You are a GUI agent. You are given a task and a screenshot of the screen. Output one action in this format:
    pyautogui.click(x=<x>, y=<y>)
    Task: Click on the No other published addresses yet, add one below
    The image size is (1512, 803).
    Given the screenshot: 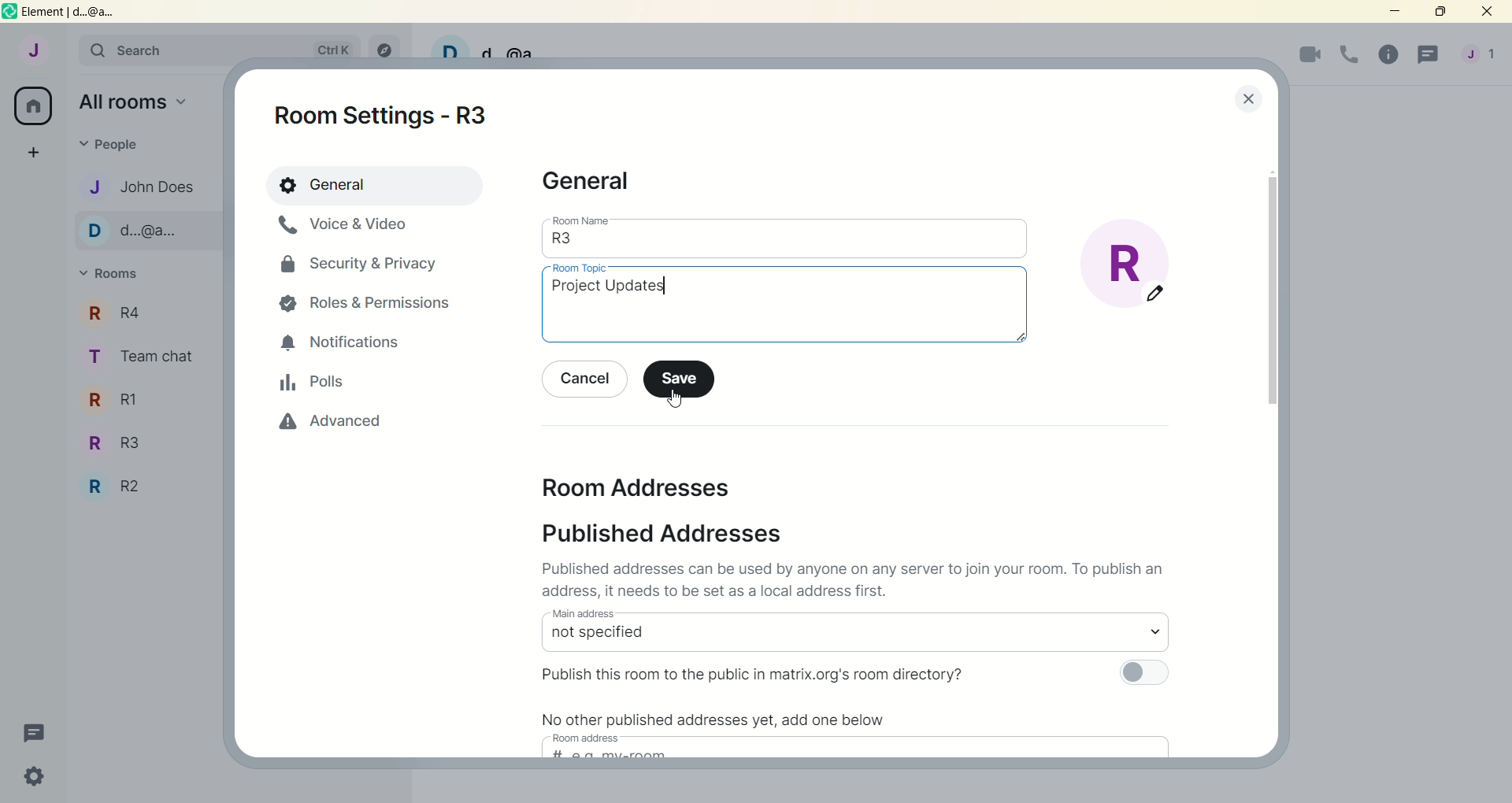 What is the action you would take?
    pyautogui.click(x=713, y=720)
    